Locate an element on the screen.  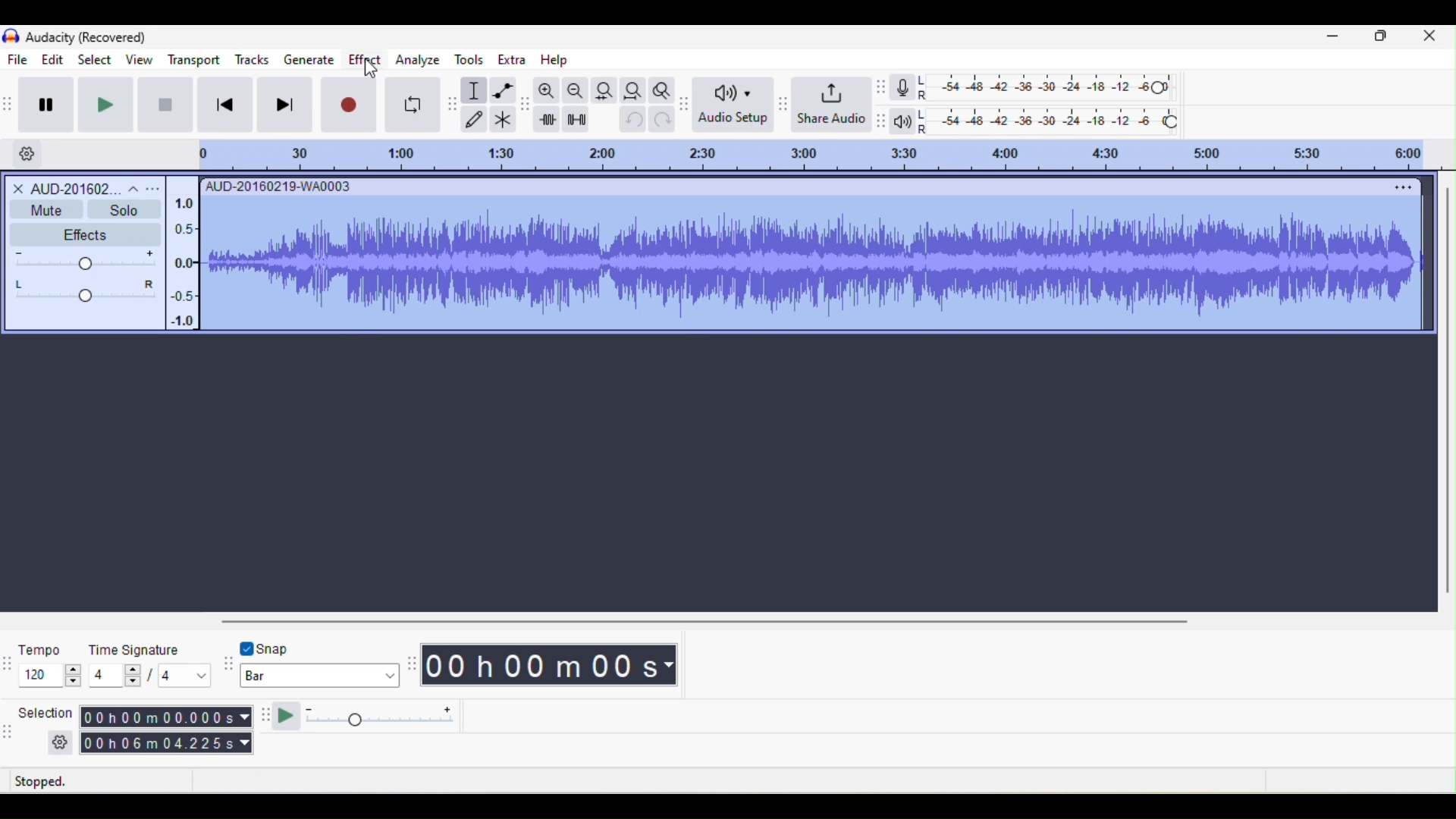
audio setup is located at coordinates (732, 105).